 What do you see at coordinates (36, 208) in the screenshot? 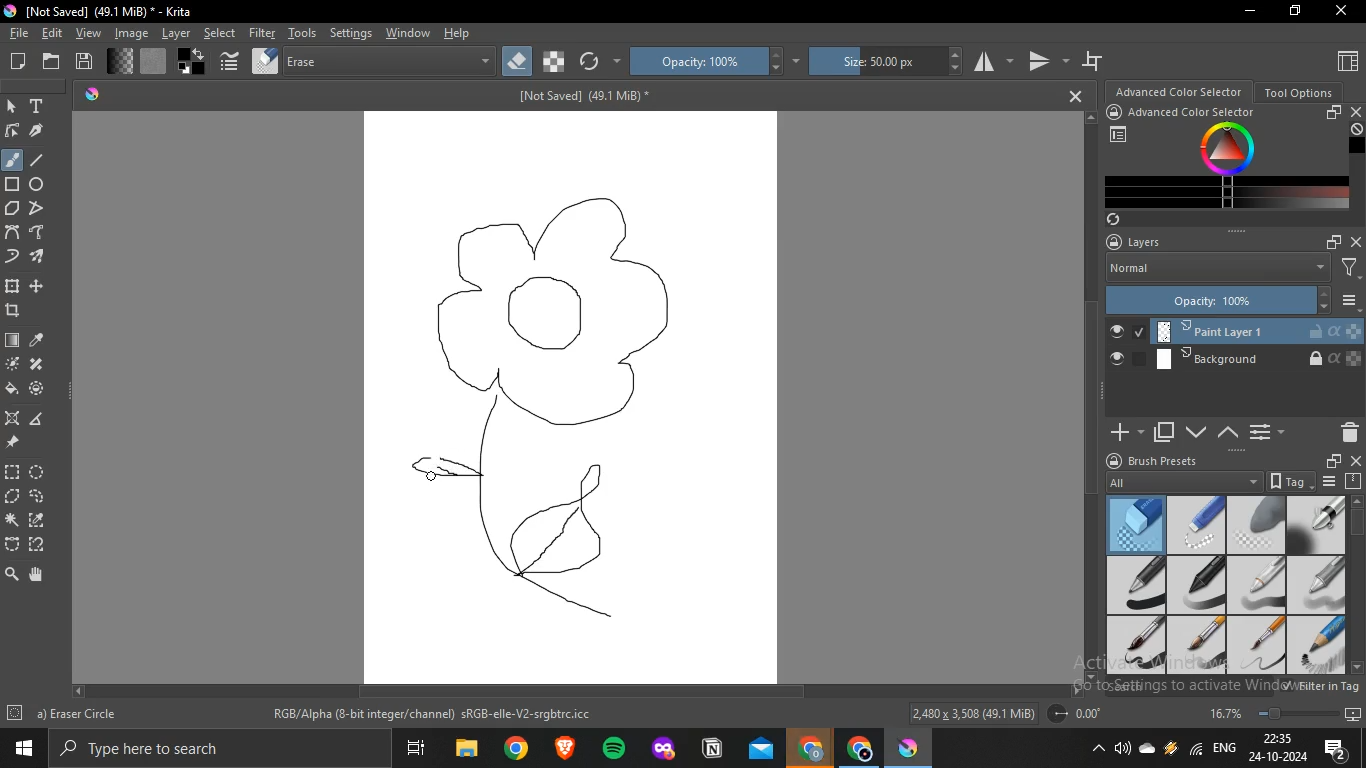
I see `polyline tool` at bounding box center [36, 208].